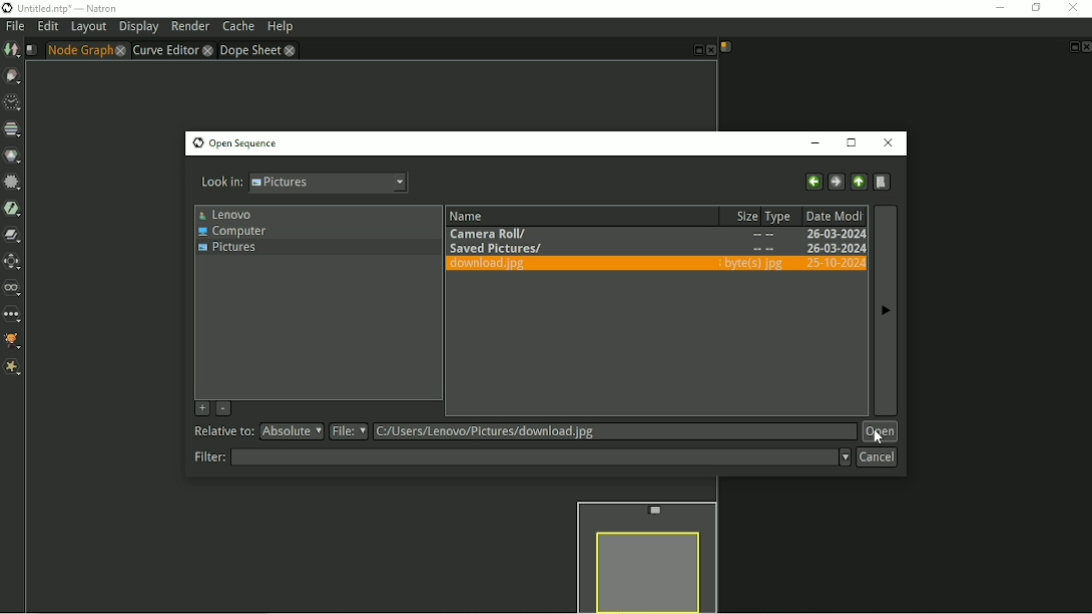 The height and width of the screenshot is (614, 1092). I want to click on Go to parent directory, so click(858, 182).